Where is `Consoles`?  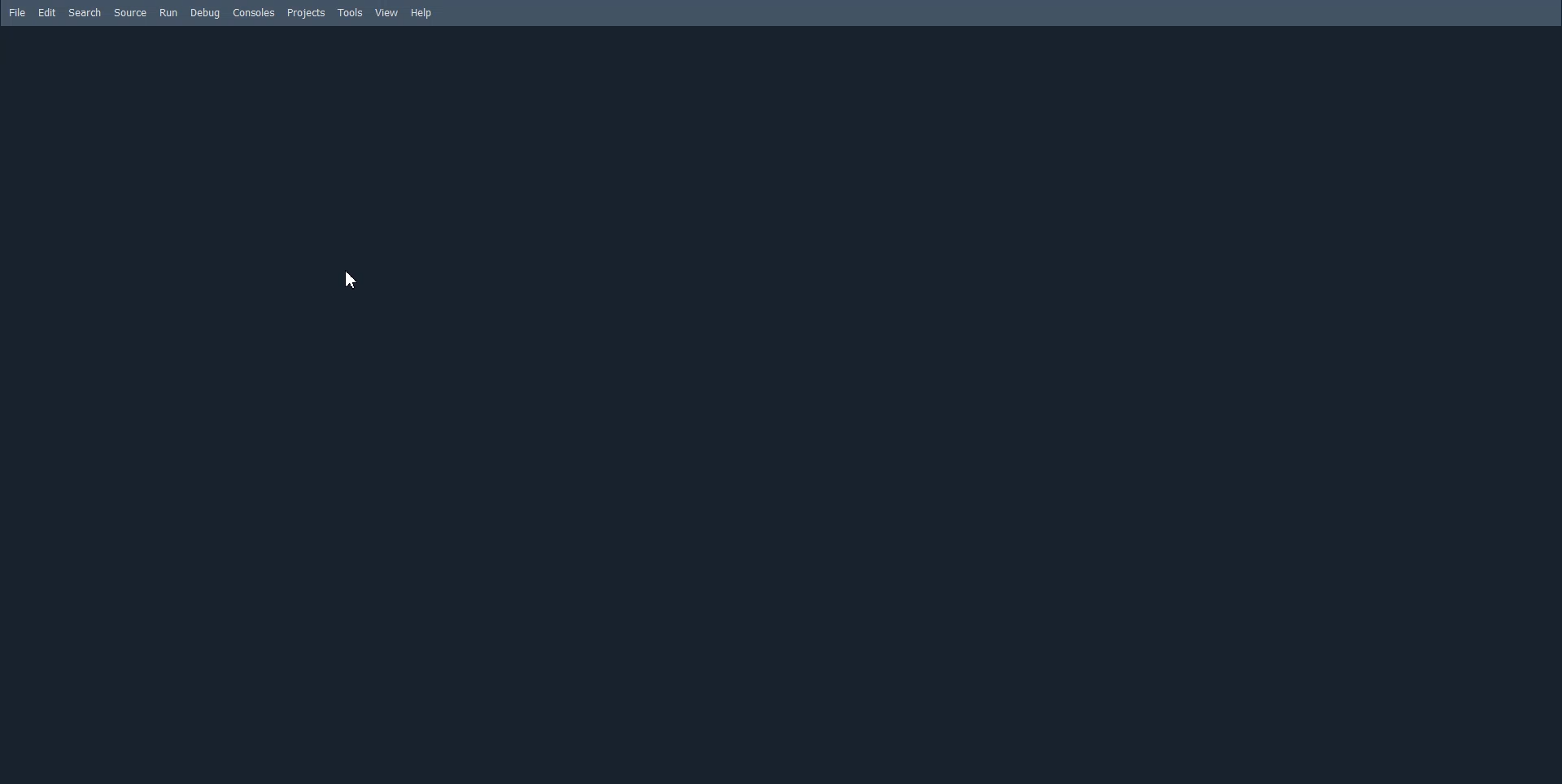 Consoles is located at coordinates (252, 12).